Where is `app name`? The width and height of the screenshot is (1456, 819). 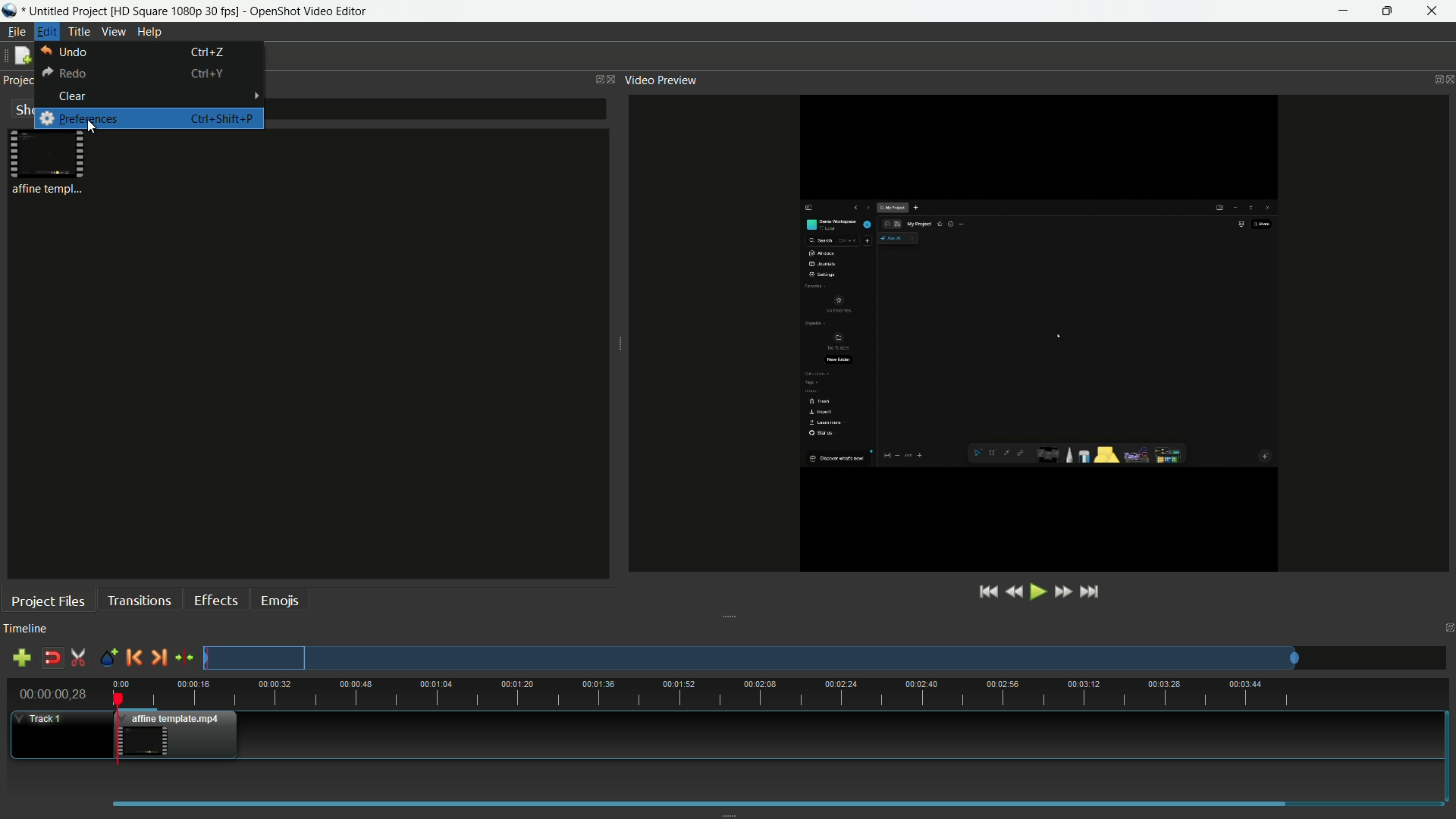
app name is located at coordinates (308, 11).